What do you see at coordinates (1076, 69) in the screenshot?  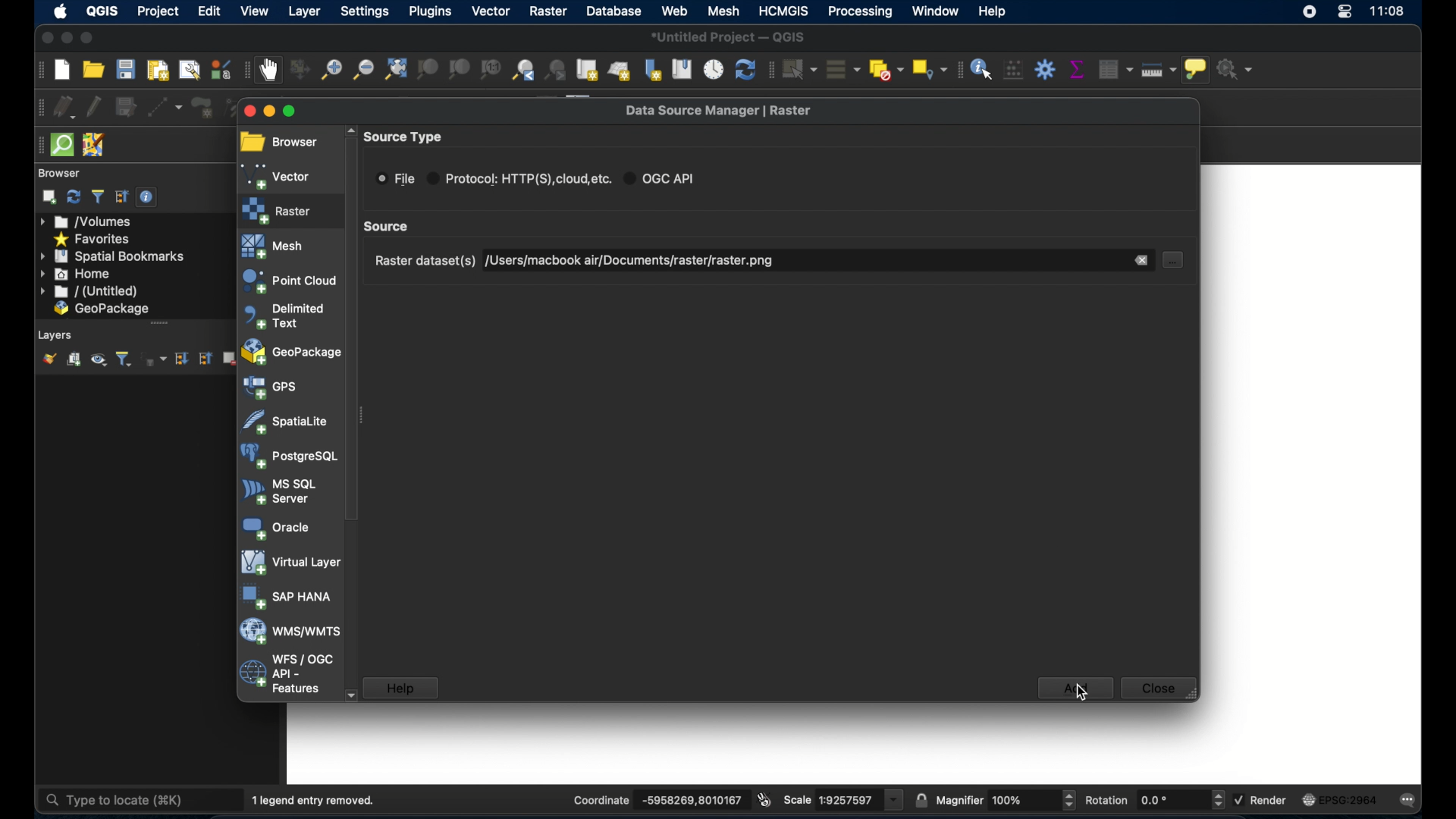 I see `show statistical summary` at bounding box center [1076, 69].